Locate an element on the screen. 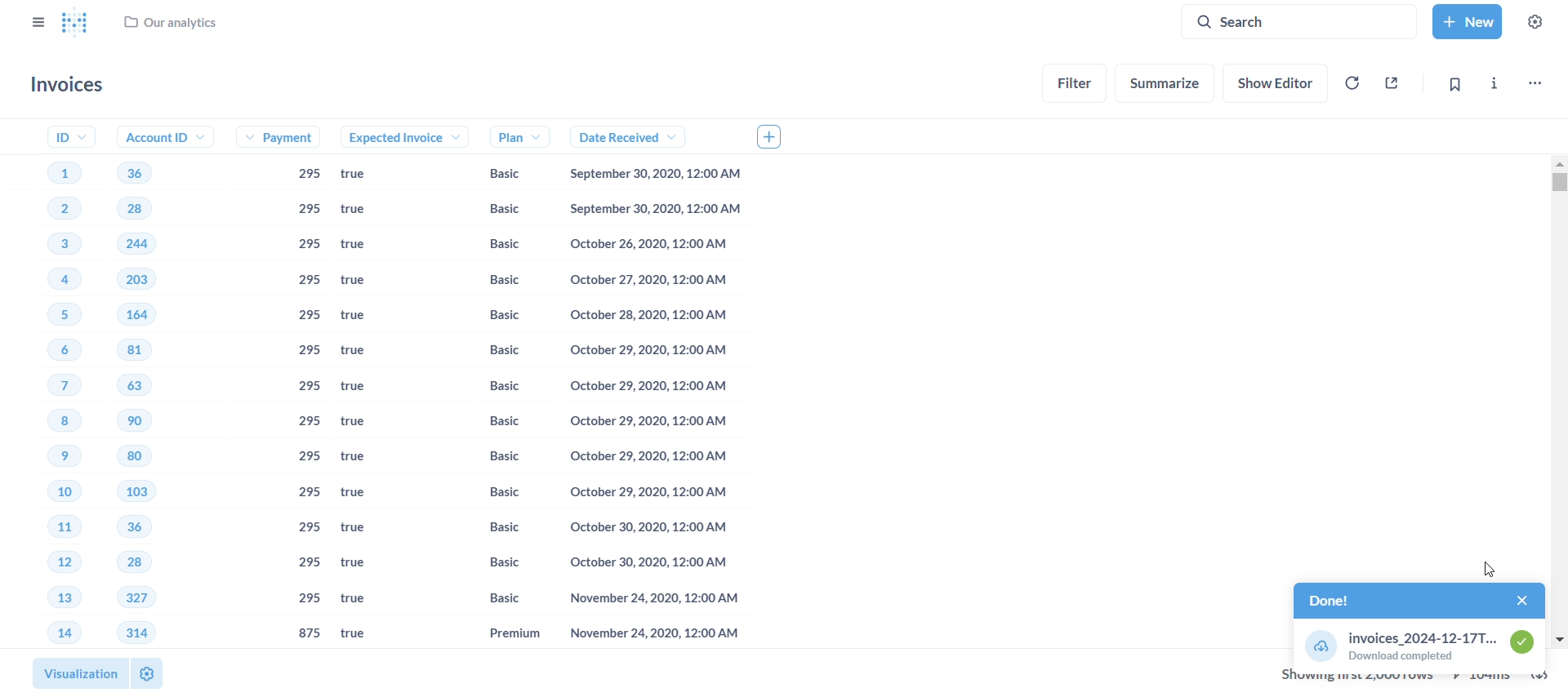 This screenshot has width=1568, height=697. true is located at coordinates (363, 210).